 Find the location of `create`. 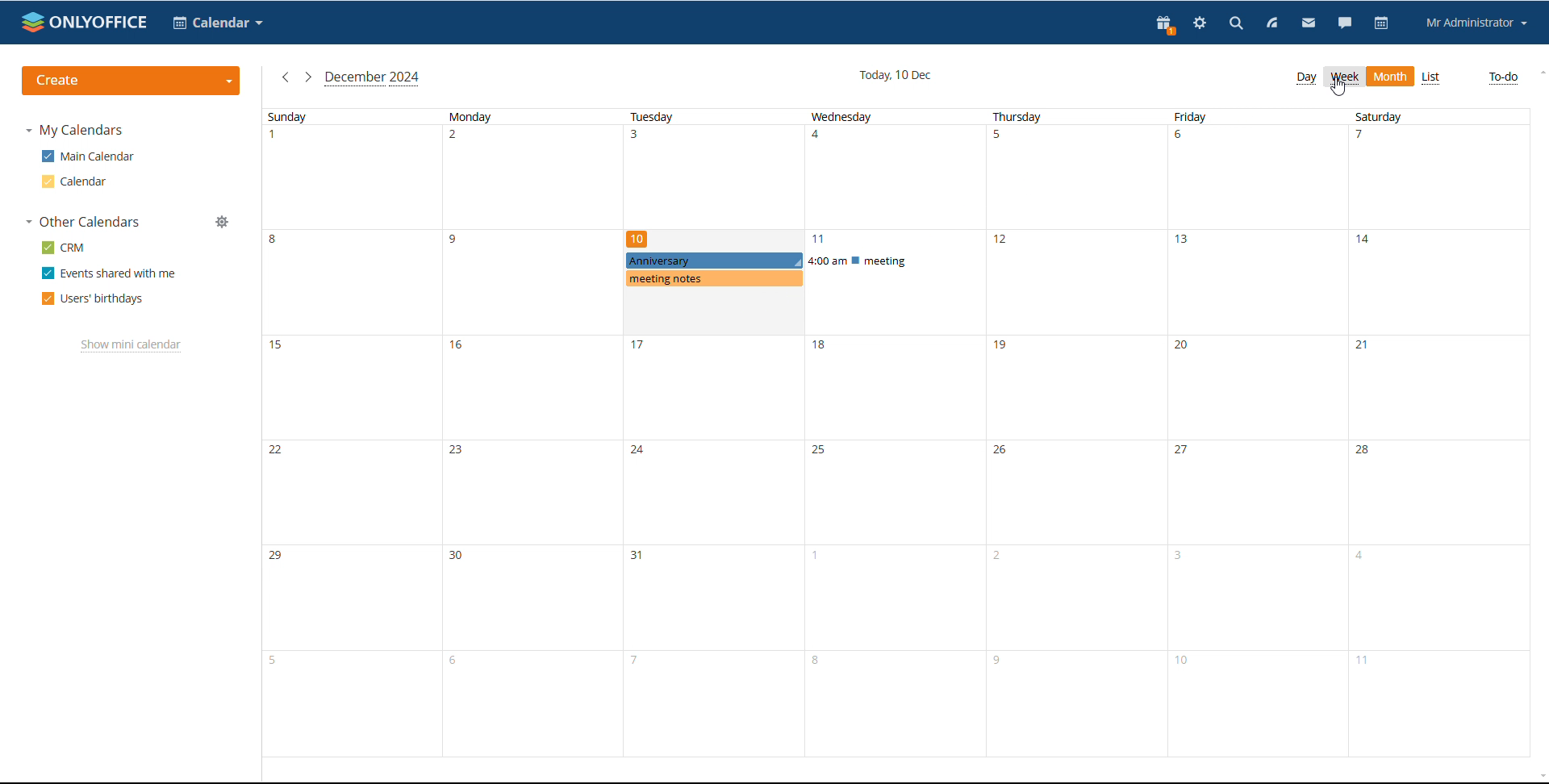

create is located at coordinates (132, 81).